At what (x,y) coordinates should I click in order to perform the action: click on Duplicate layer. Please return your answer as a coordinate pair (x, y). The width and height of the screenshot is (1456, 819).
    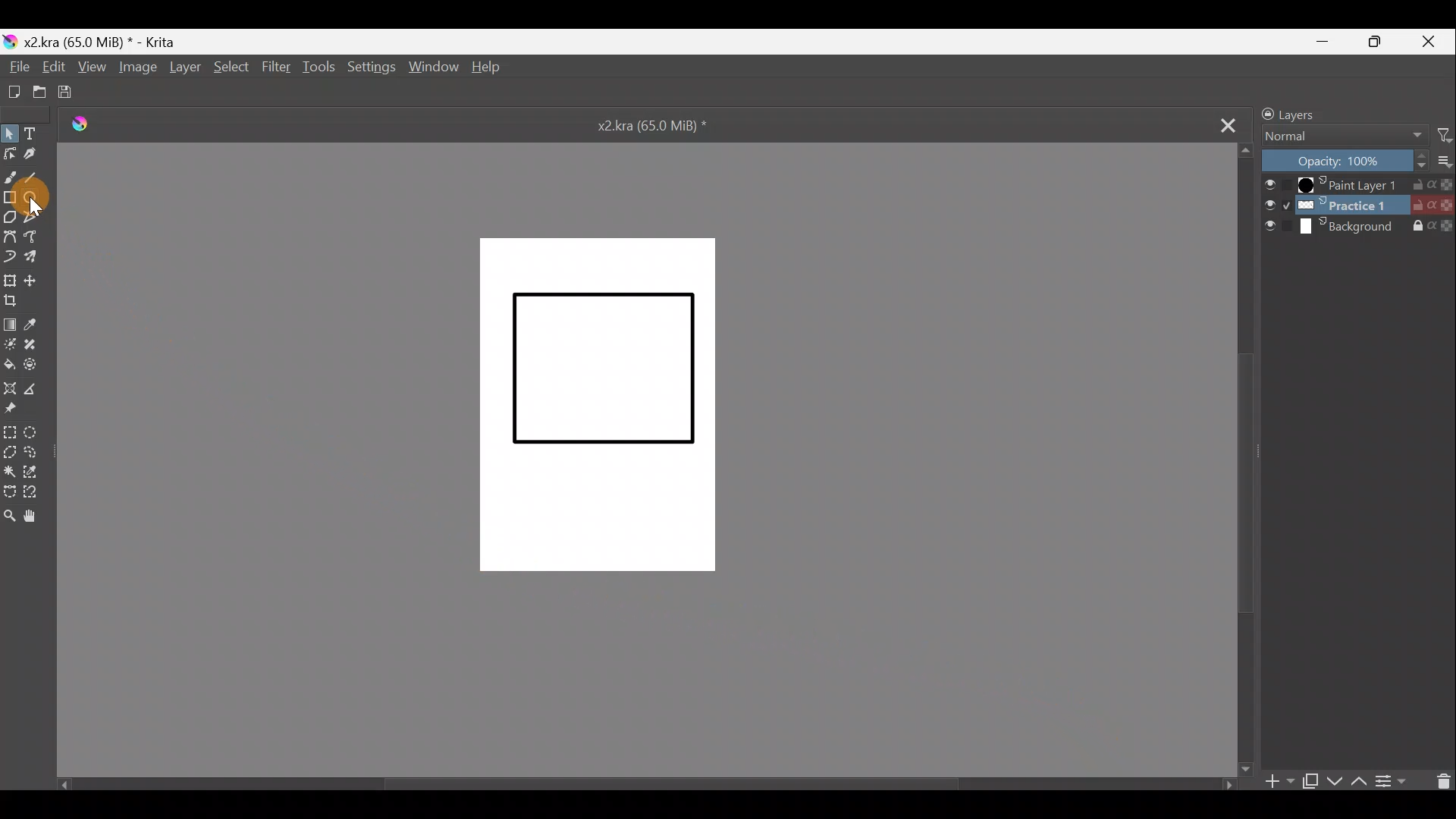
    Looking at the image, I should click on (1311, 779).